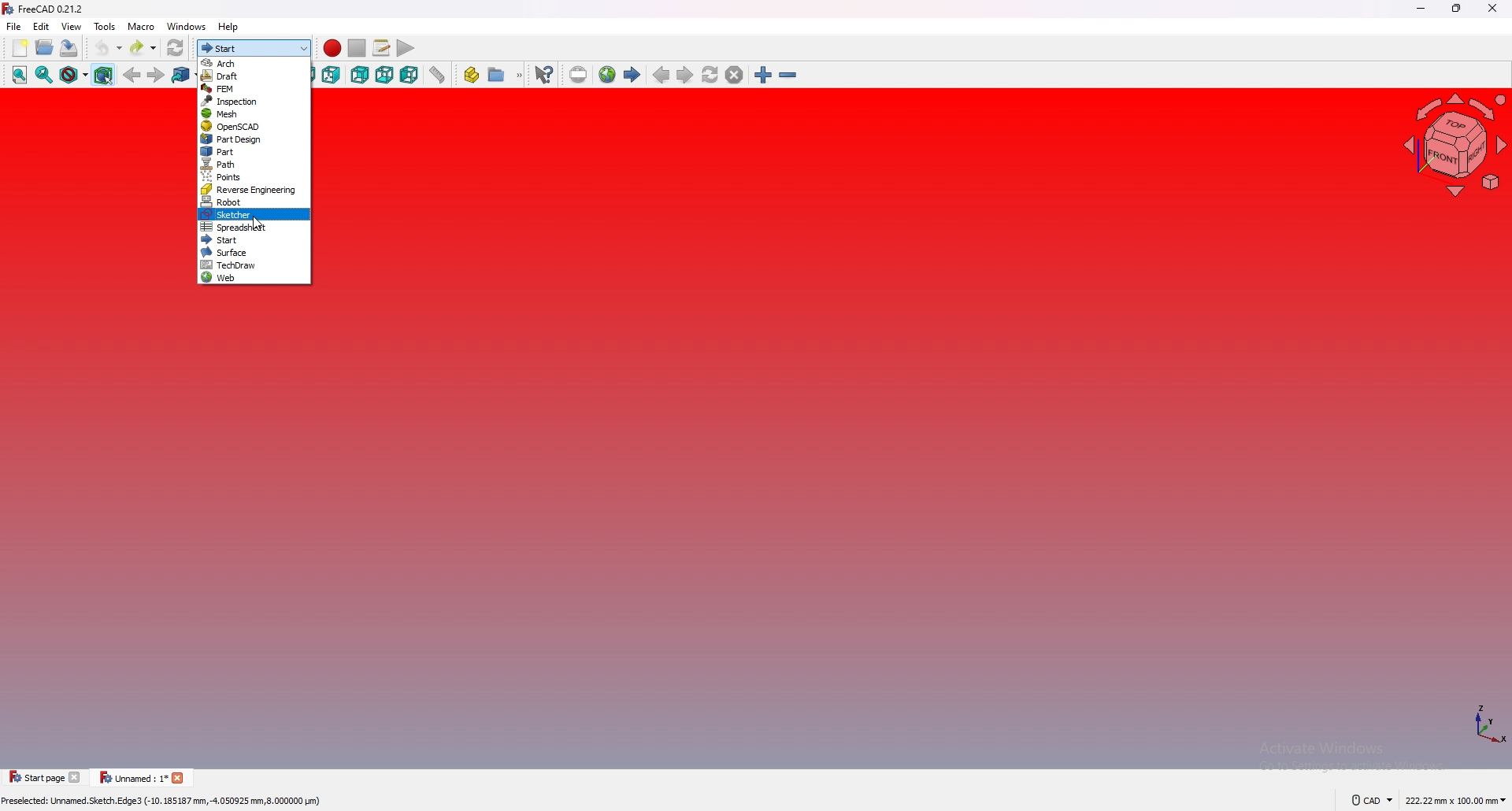  What do you see at coordinates (734, 74) in the screenshot?
I see `stop loading` at bounding box center [734, 74].